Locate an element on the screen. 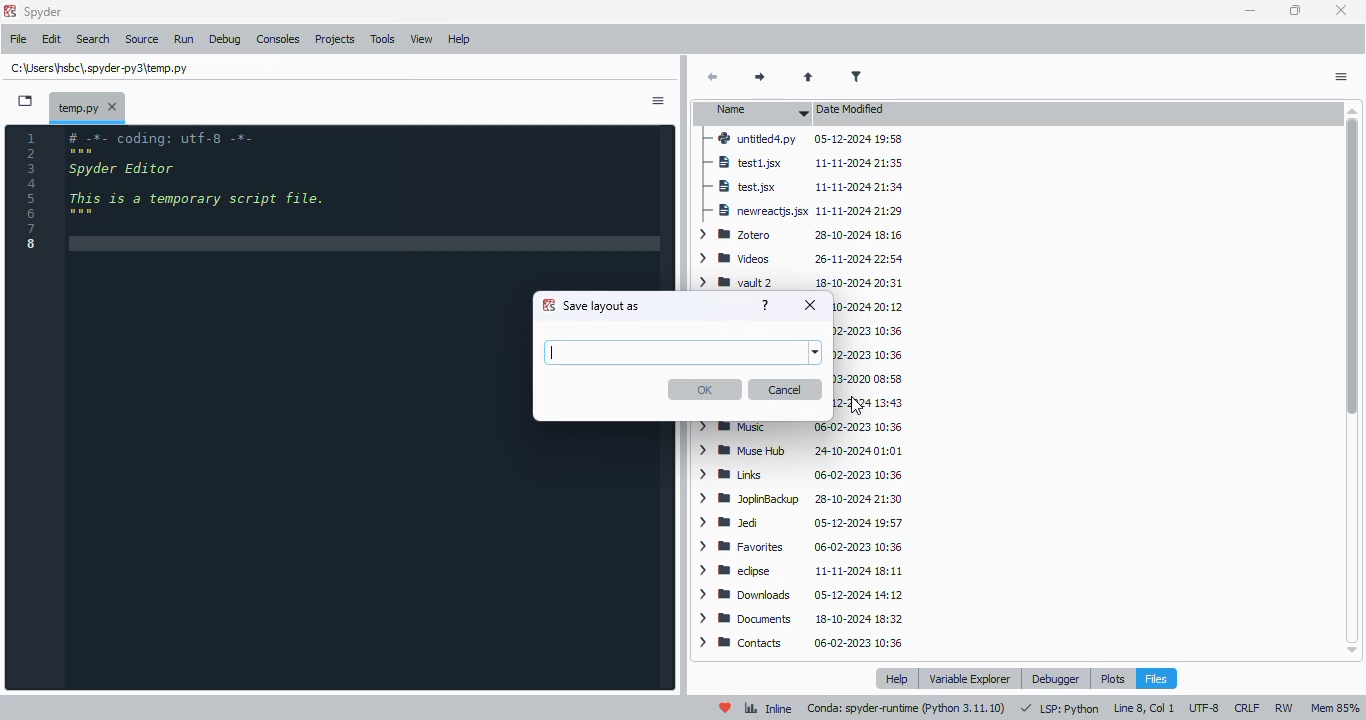 This screenshot has width=1366, height=720. RW is located at coordinates (1284, 707).